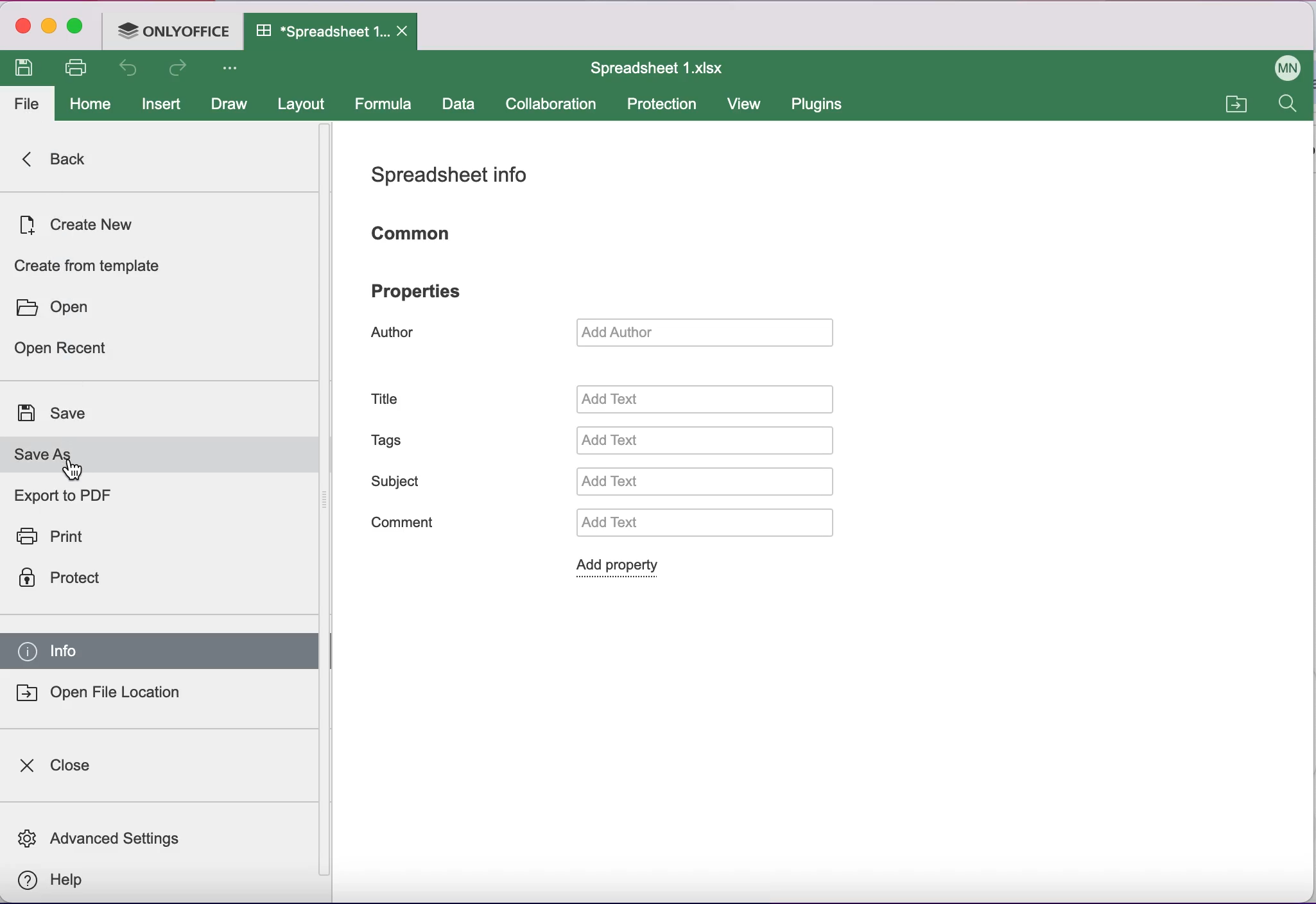 This screenshot has width=1316, height=904. What do you see at coordinates (461, 105) in the screenshot?
I see `data` at bounding box center [461, 105].